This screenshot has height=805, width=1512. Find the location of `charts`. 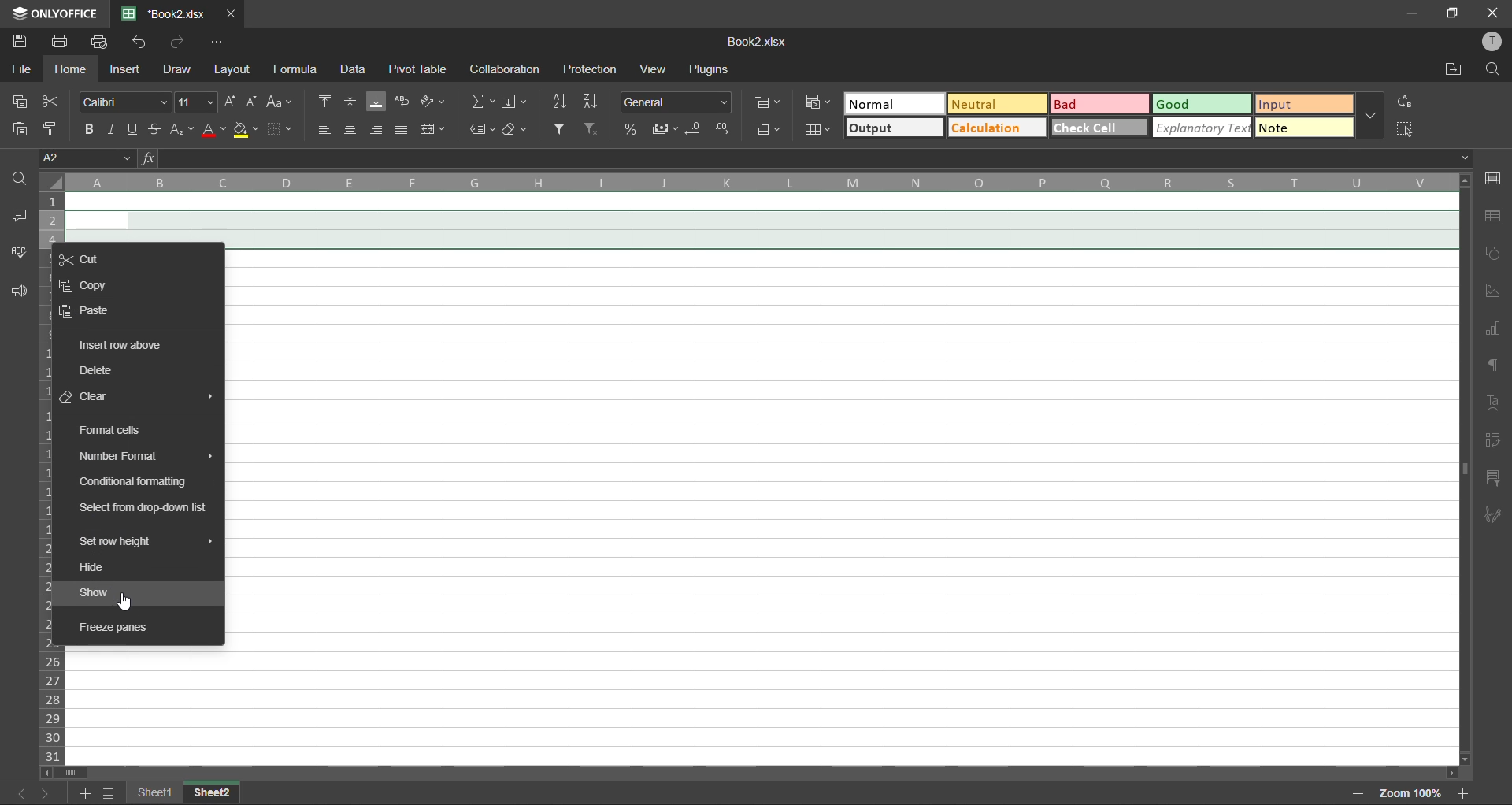

charts is located at coordinates (1494, 332).